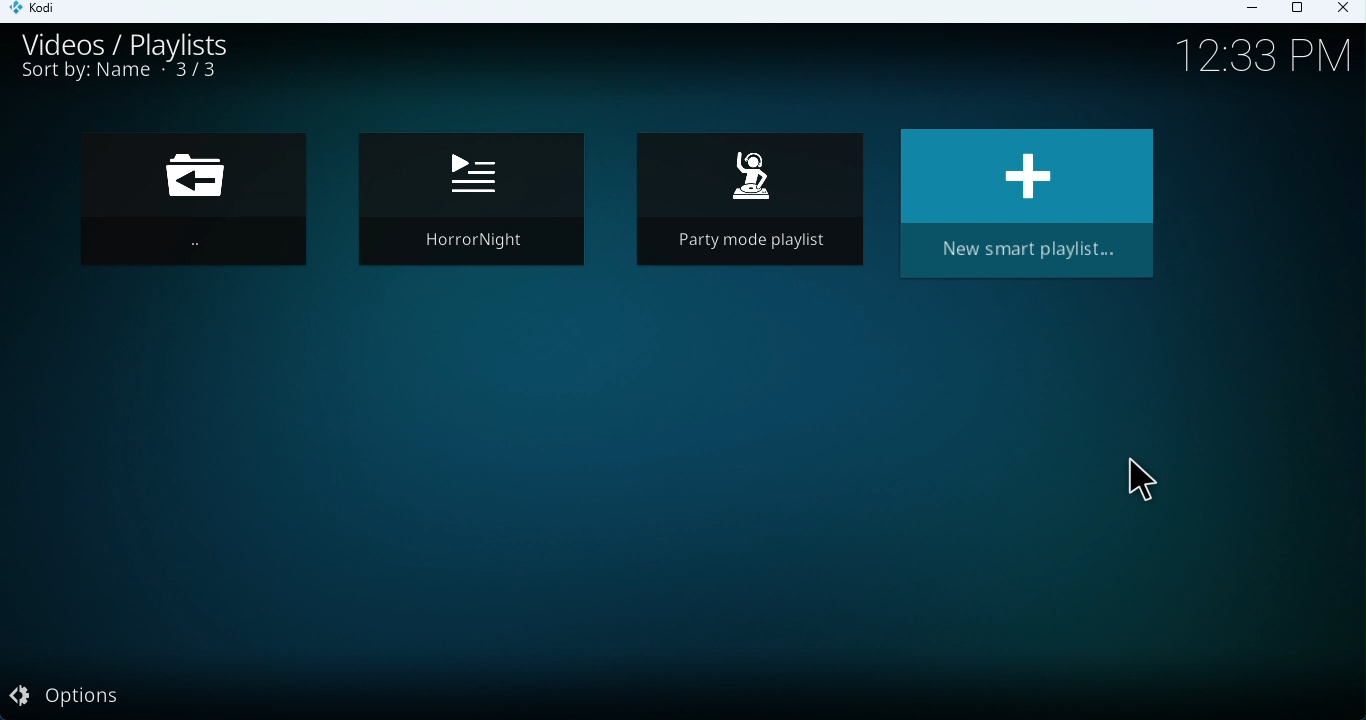 The width and height of the screenshot is (1366, 720). Describe the element at coordinates (1301, 9) in the screenshot. I see `Maximize` at that location.